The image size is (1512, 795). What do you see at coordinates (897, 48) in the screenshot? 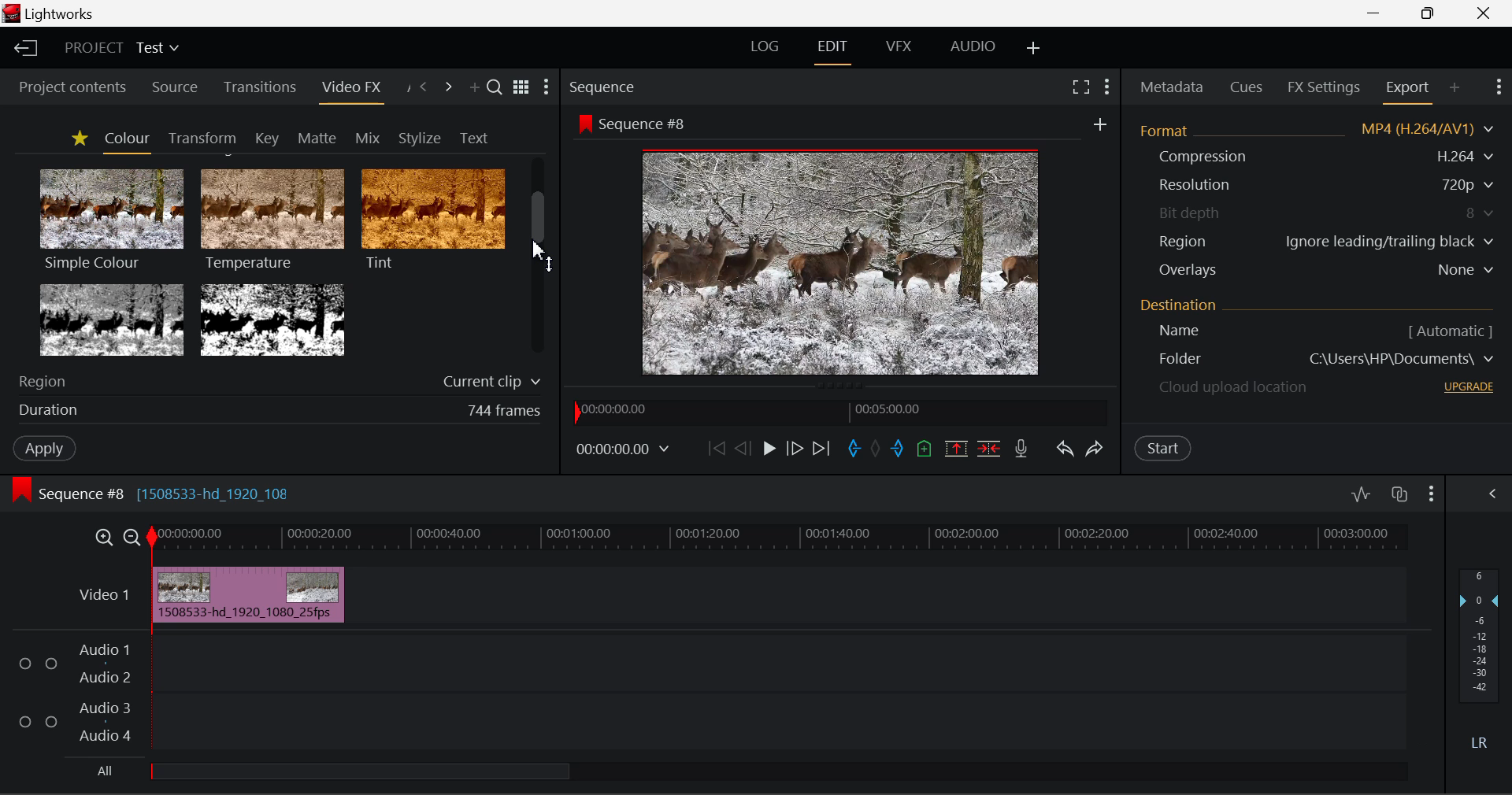
I see `VFX Layout` at bounding box center [897, 48].